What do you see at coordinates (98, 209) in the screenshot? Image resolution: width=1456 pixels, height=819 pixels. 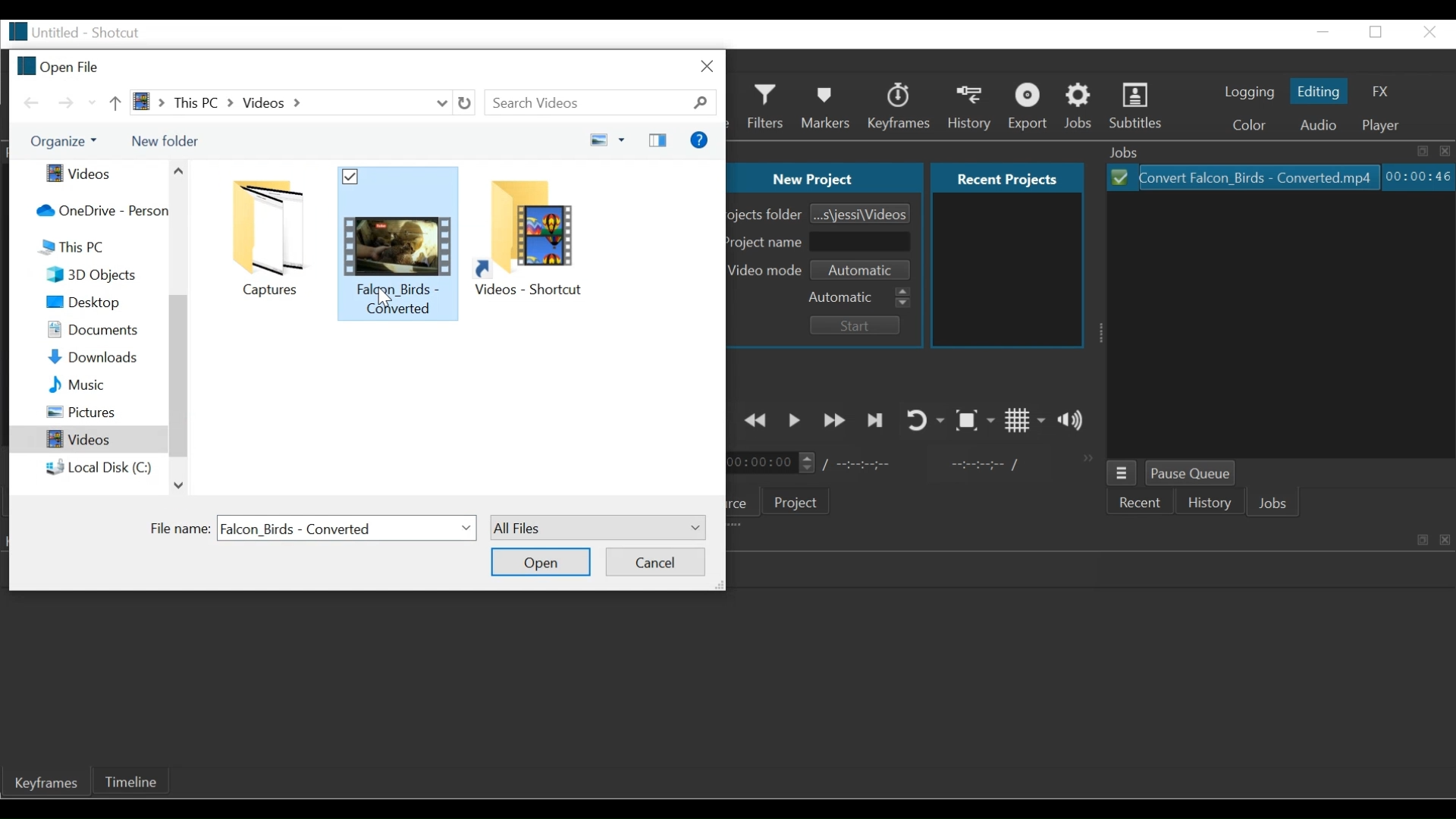 I see `One Drive` at bounding box center [98, 209].